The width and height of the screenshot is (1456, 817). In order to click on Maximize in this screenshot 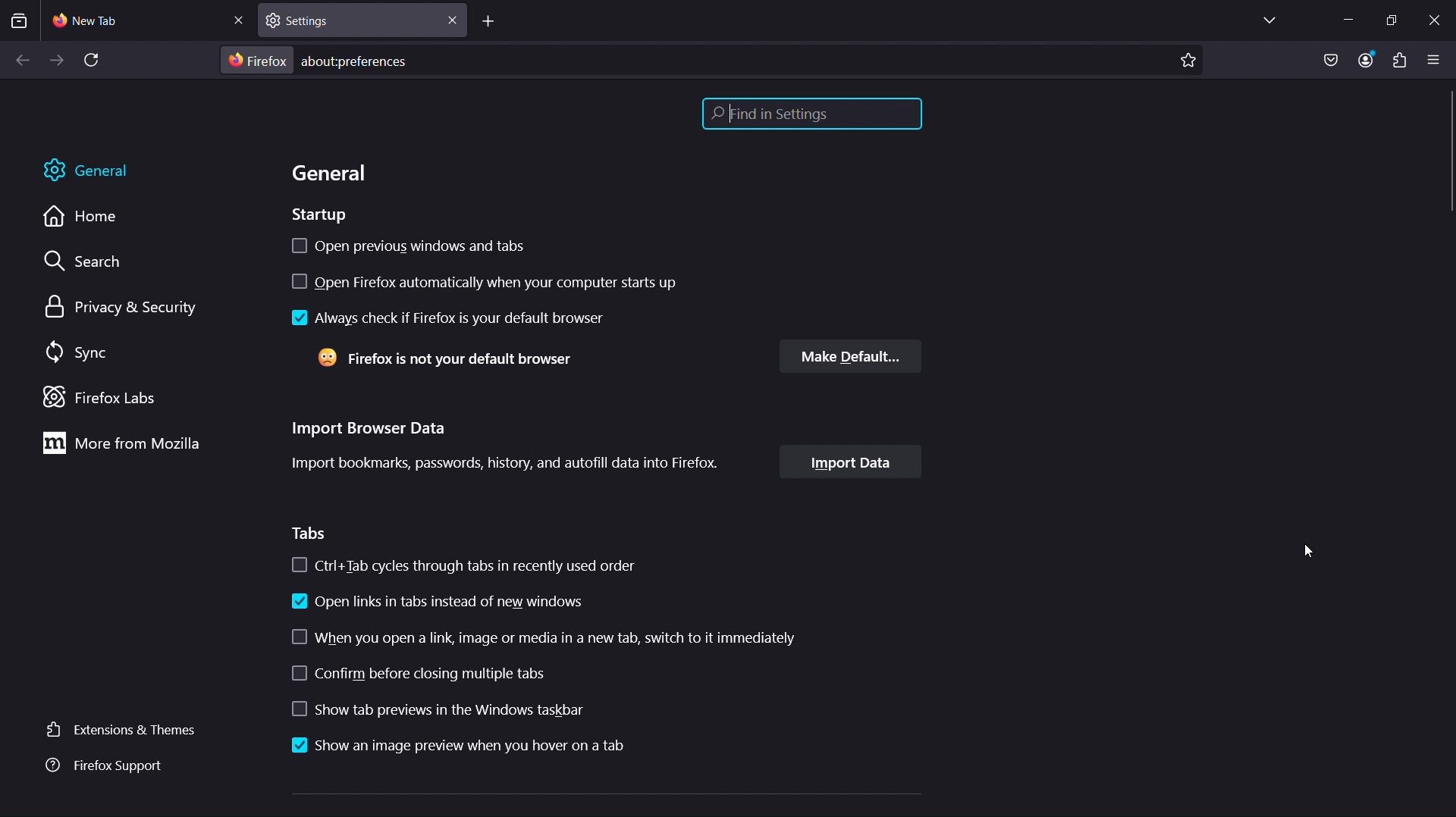, I will do `click(1395, 19)`.